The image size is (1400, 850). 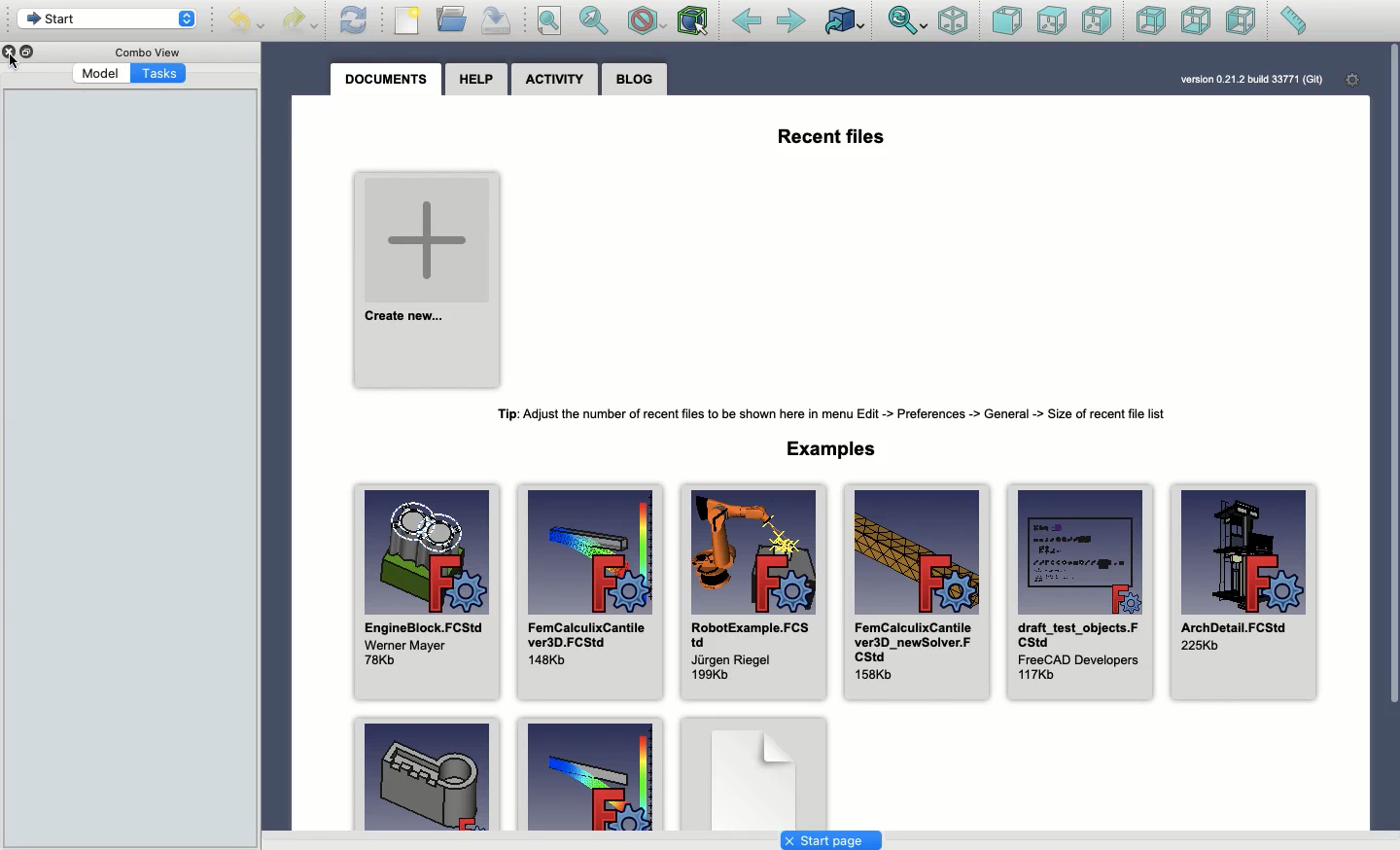 I want to click on Bottom, so click(x=1197, y=21).